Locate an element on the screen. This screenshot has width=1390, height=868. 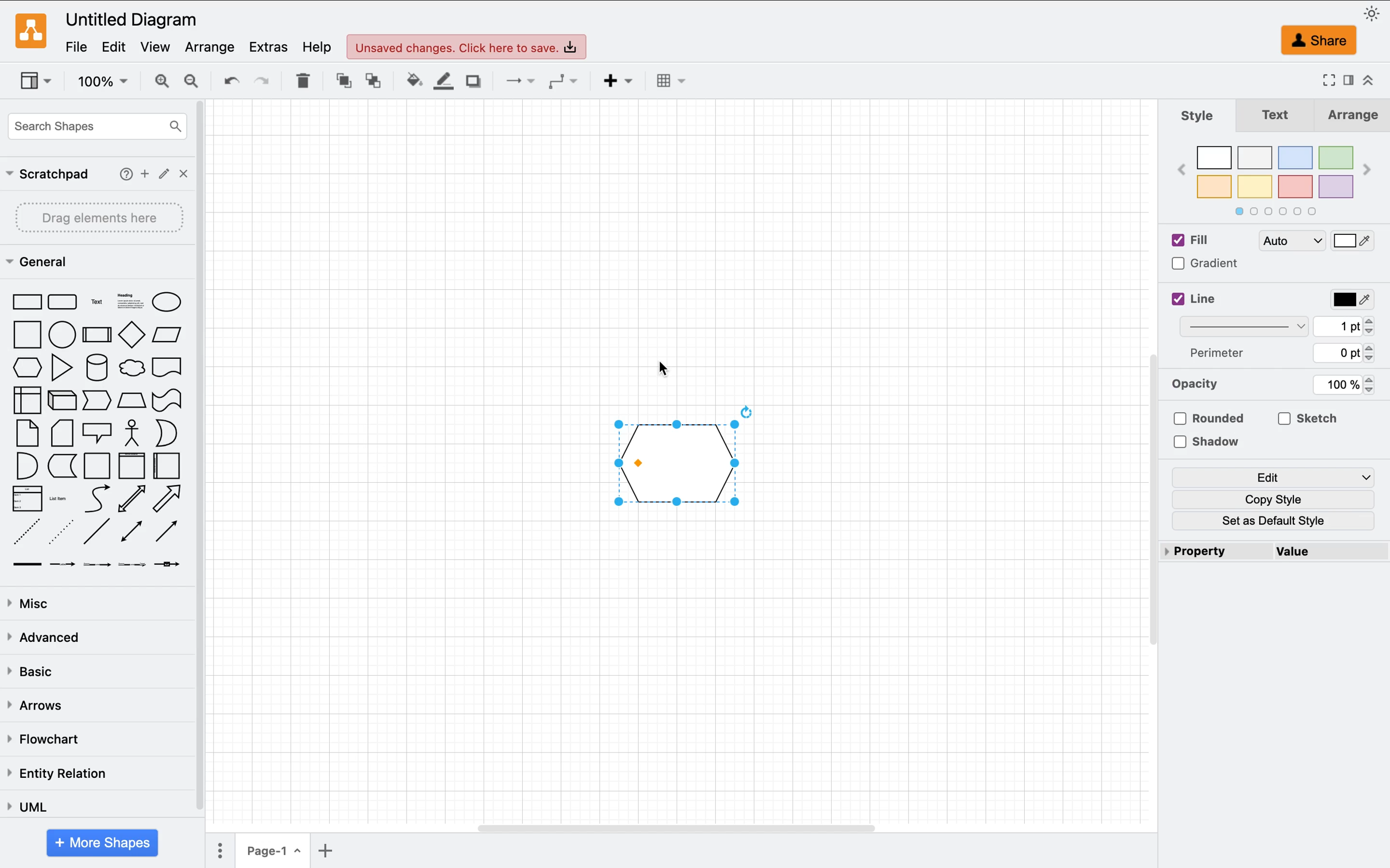
link is located at coordinates (24, 565).